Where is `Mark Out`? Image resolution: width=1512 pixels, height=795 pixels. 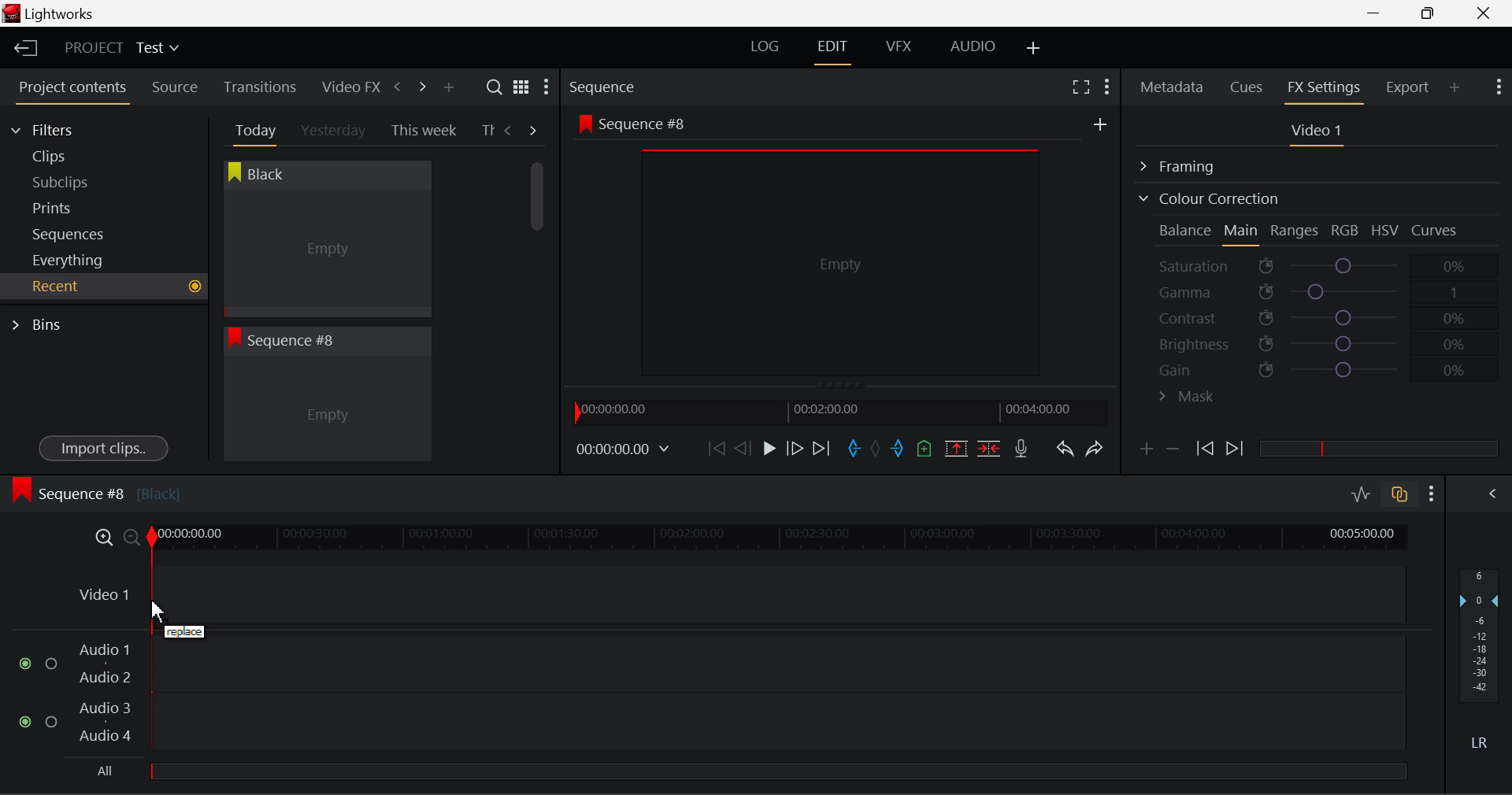 Mark Out is located at coordinates (899, 449).